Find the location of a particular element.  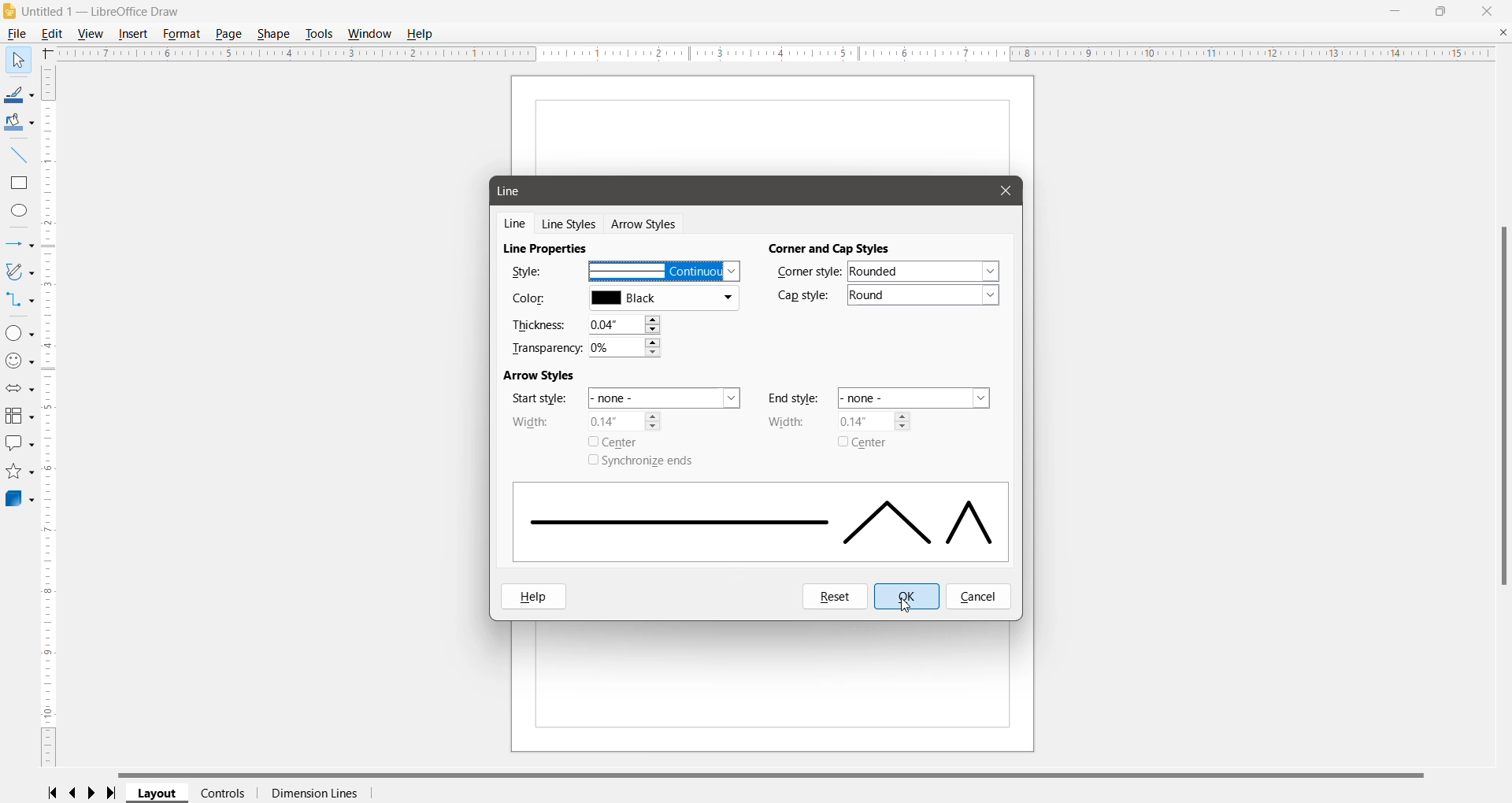

Close is located at coordinates (1488, 12).